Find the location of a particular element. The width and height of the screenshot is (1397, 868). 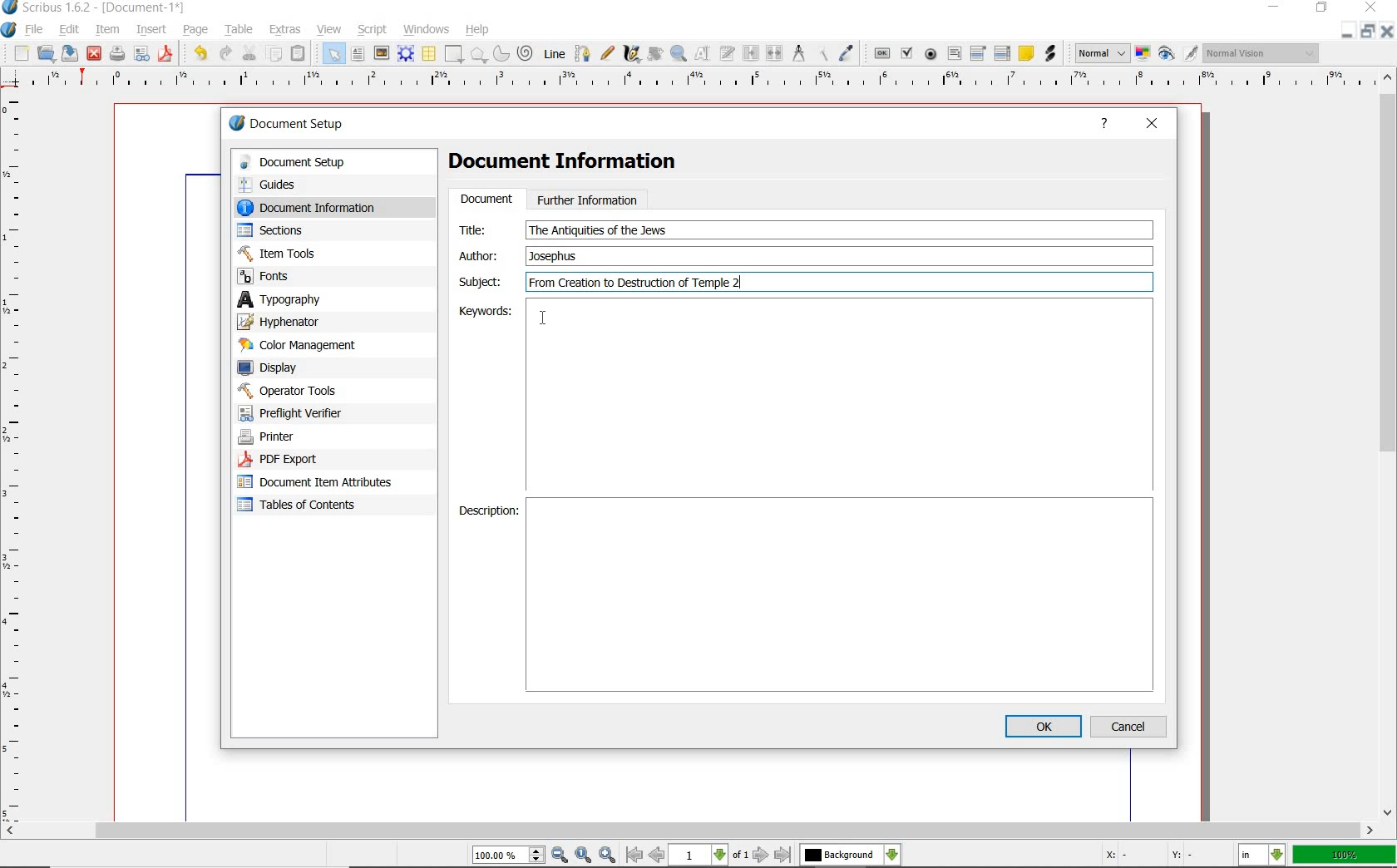

select the current layer is located at coordinates (851, 855).